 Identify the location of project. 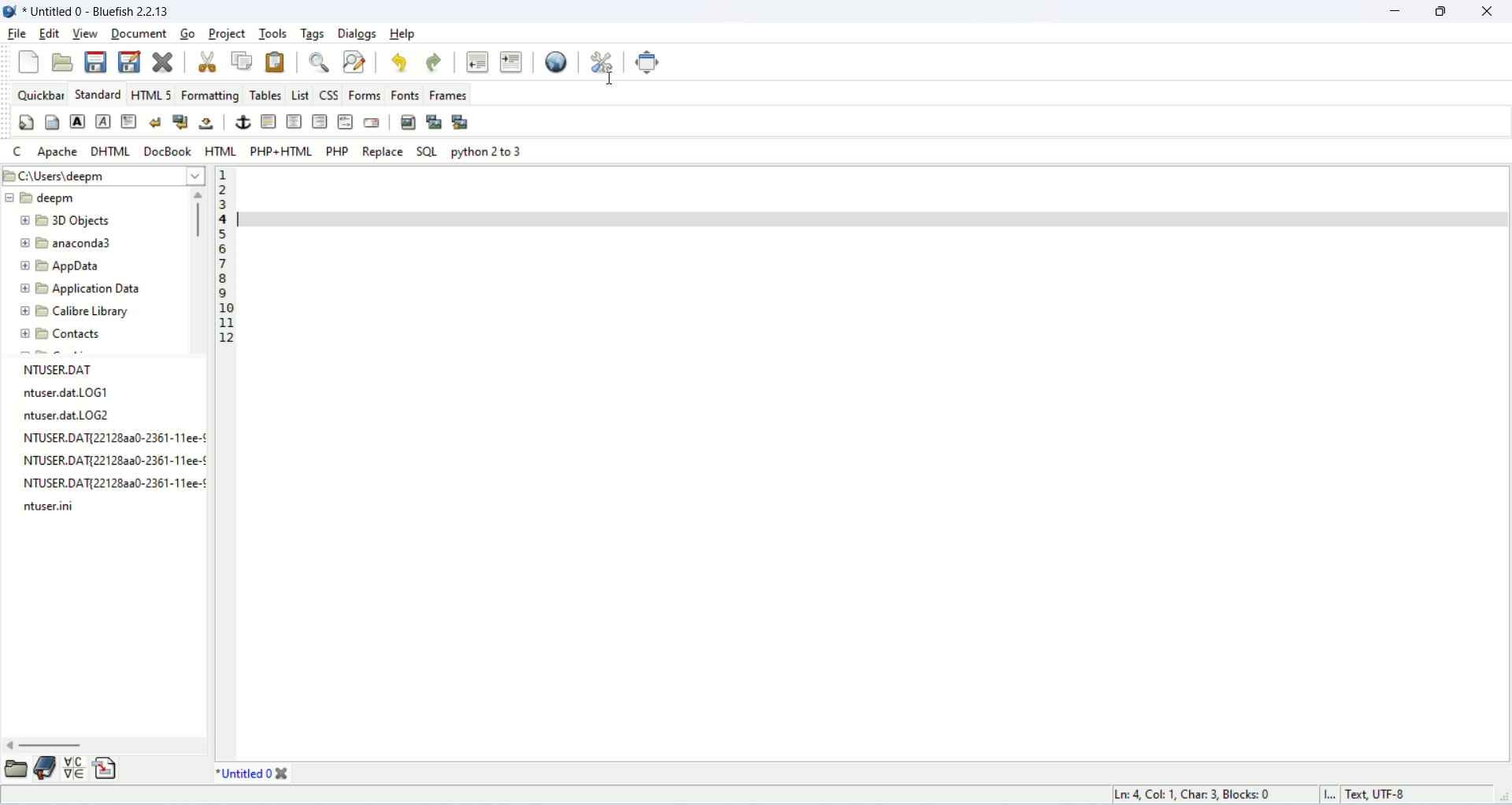
(228, 35).